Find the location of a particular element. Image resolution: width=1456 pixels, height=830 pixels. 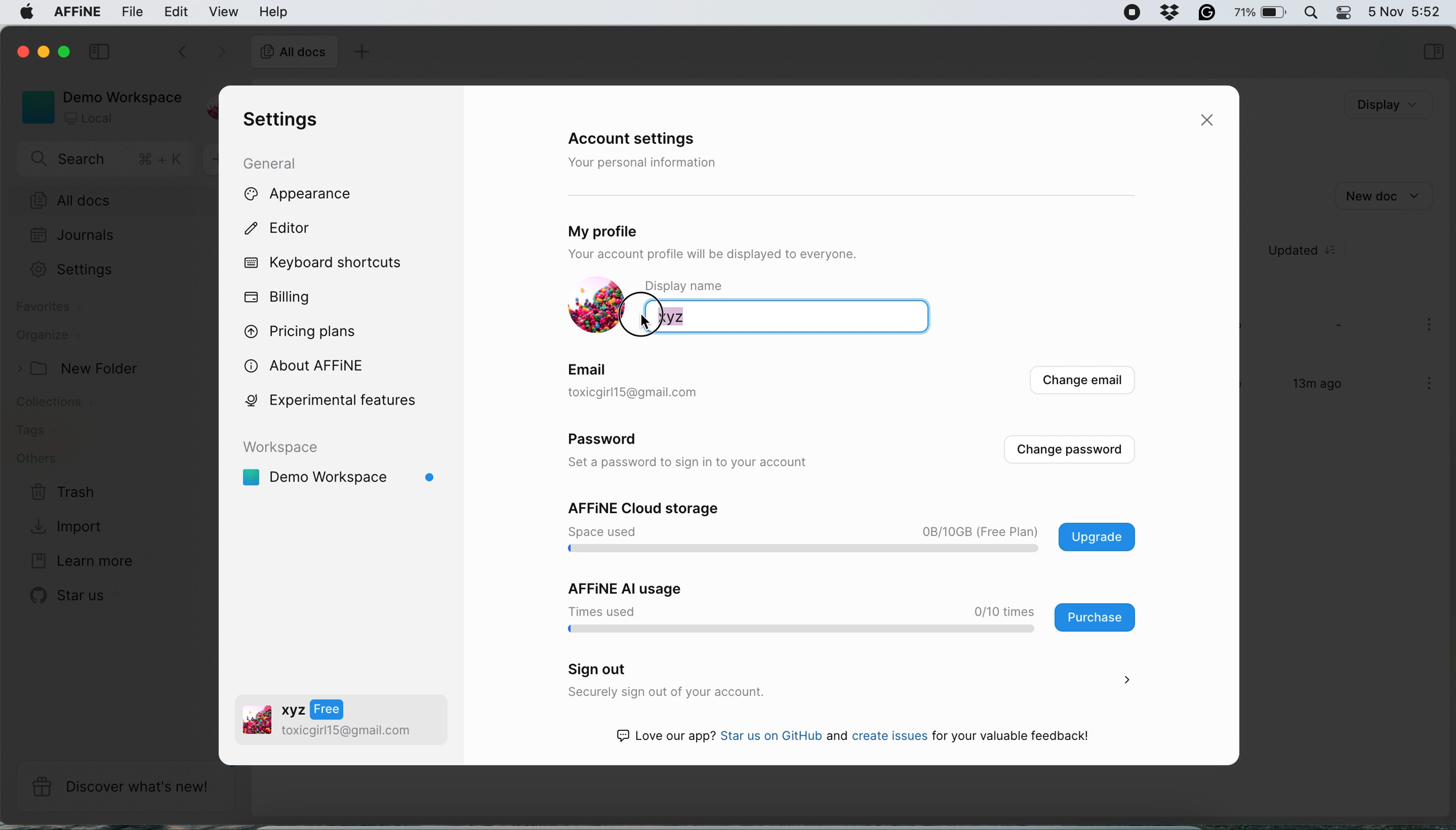

75% is located at coordinates (1260, 14).